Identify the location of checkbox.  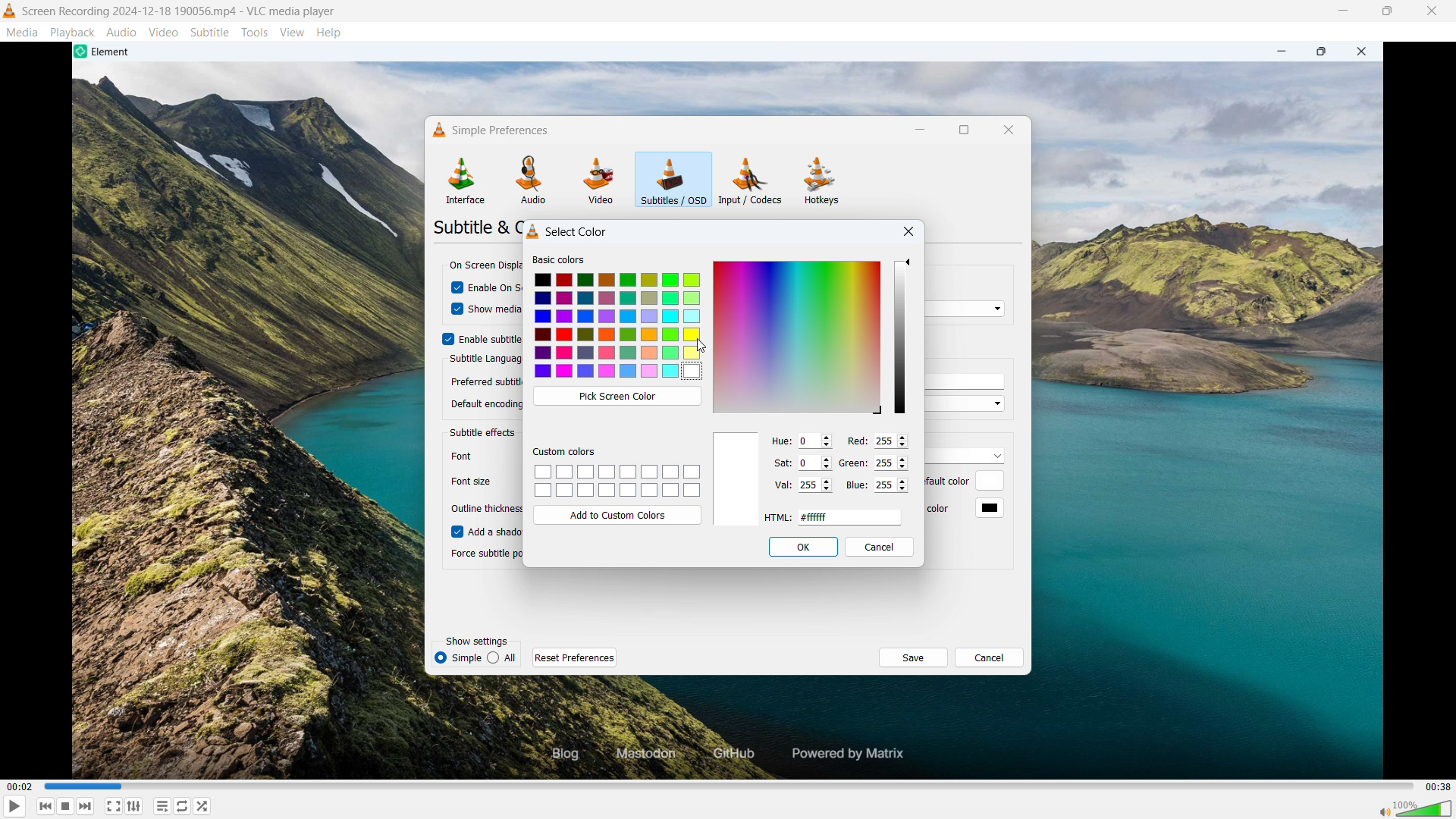
(446, 338).